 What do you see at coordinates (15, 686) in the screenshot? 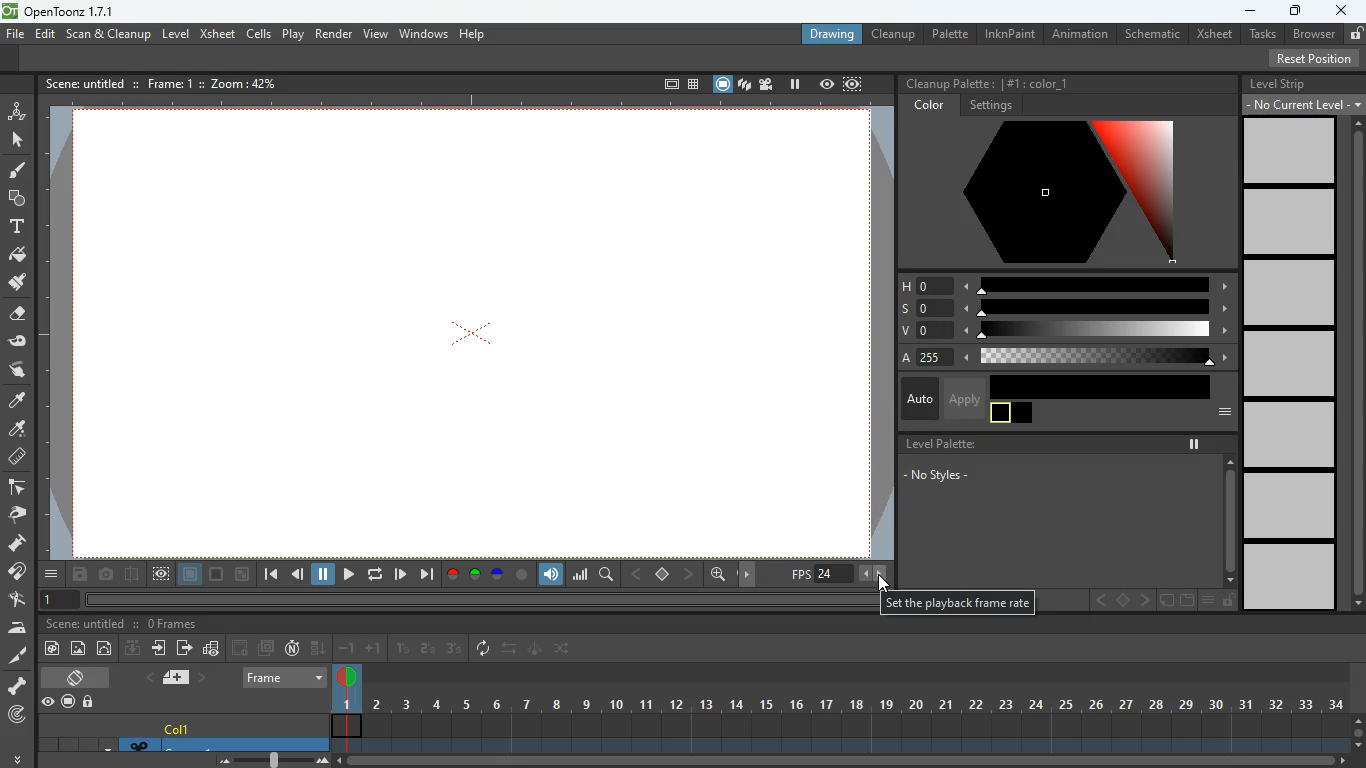
I see `skeleton` at bounding box center [15, 686].